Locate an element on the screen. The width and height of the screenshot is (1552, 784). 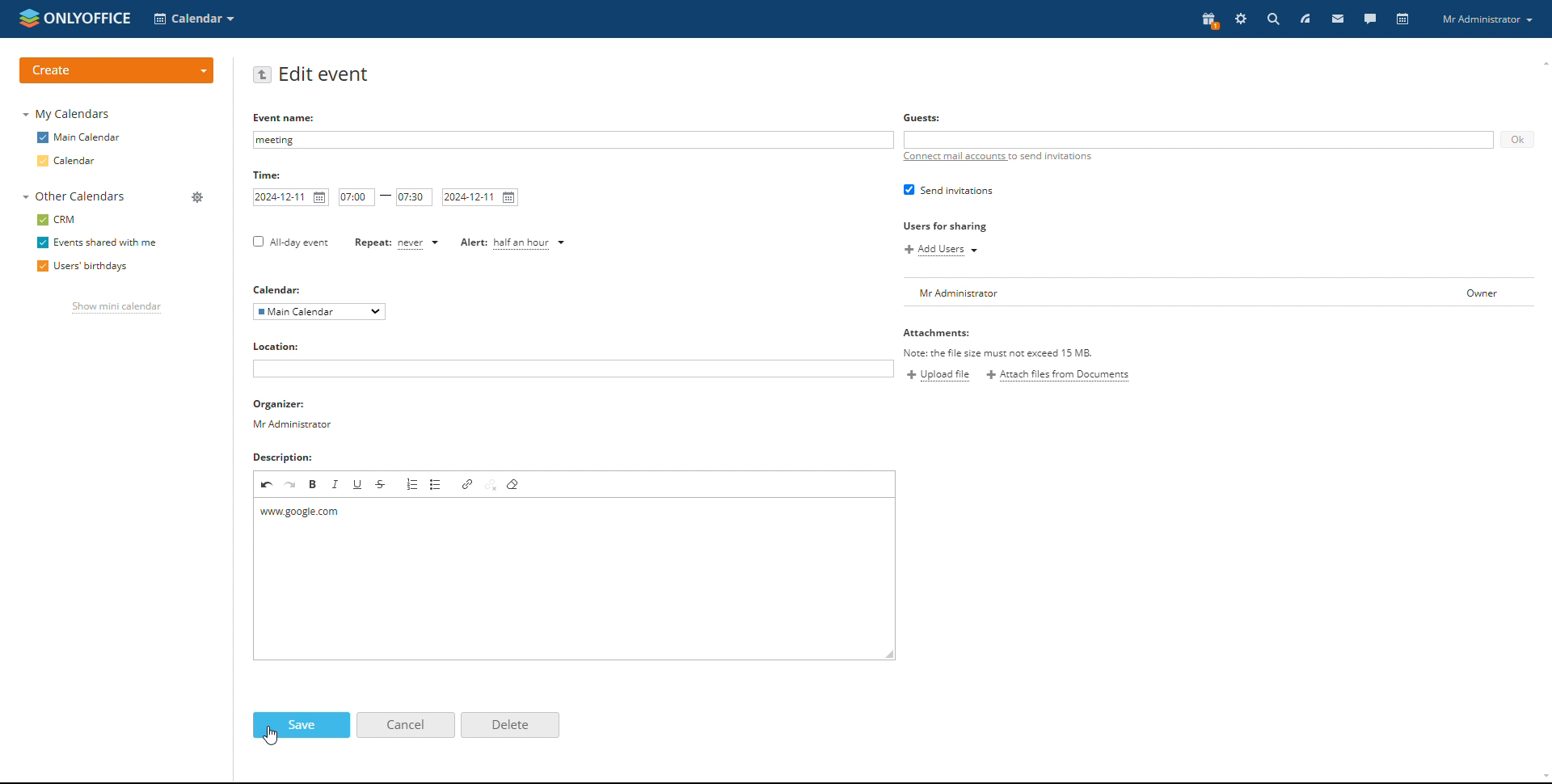
add location is located at coordinates (573, 369).